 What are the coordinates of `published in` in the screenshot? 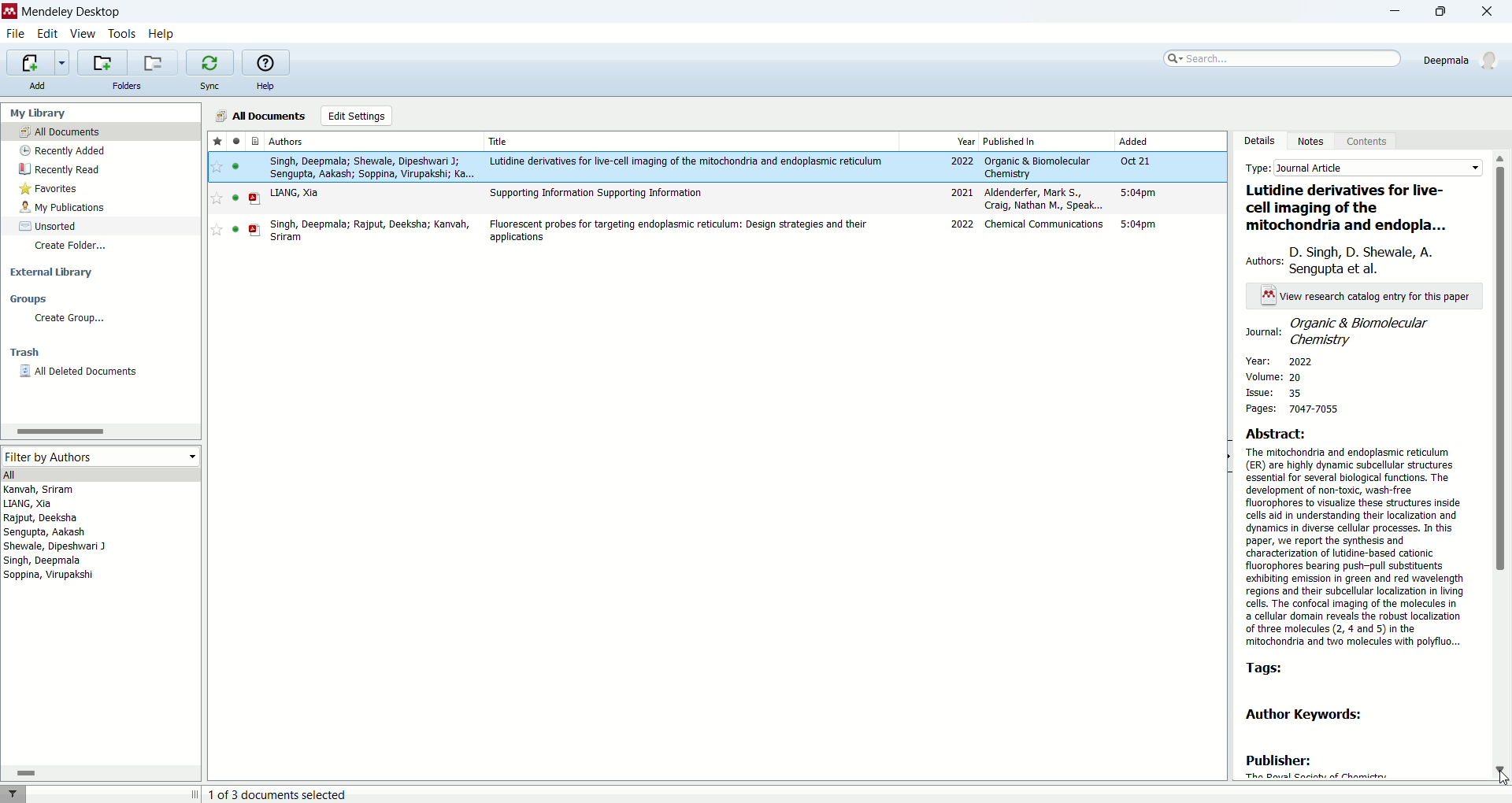 It's located at (1010, 141).